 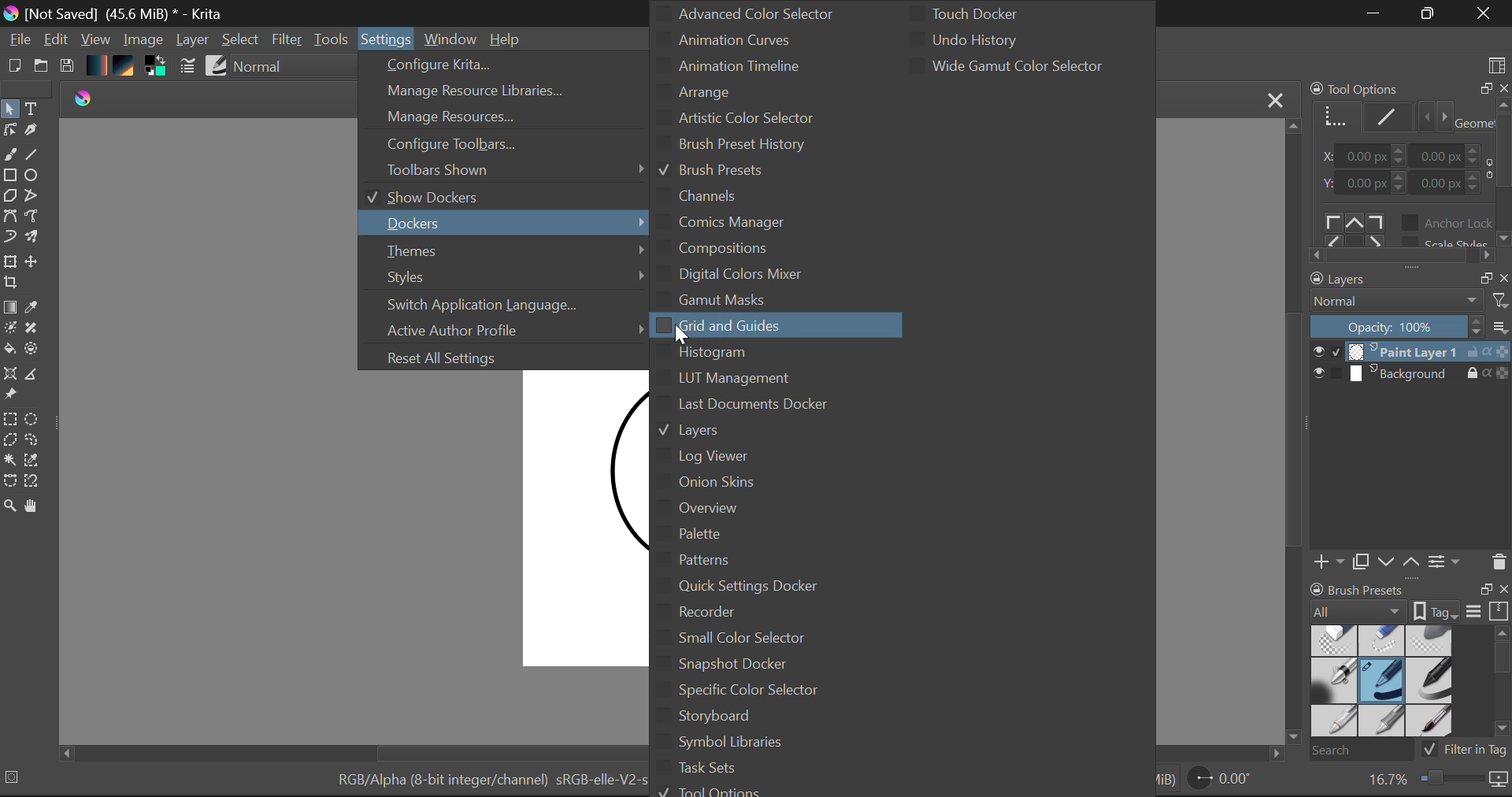 I want to click on LUT Management, so click(x=743, y=377).